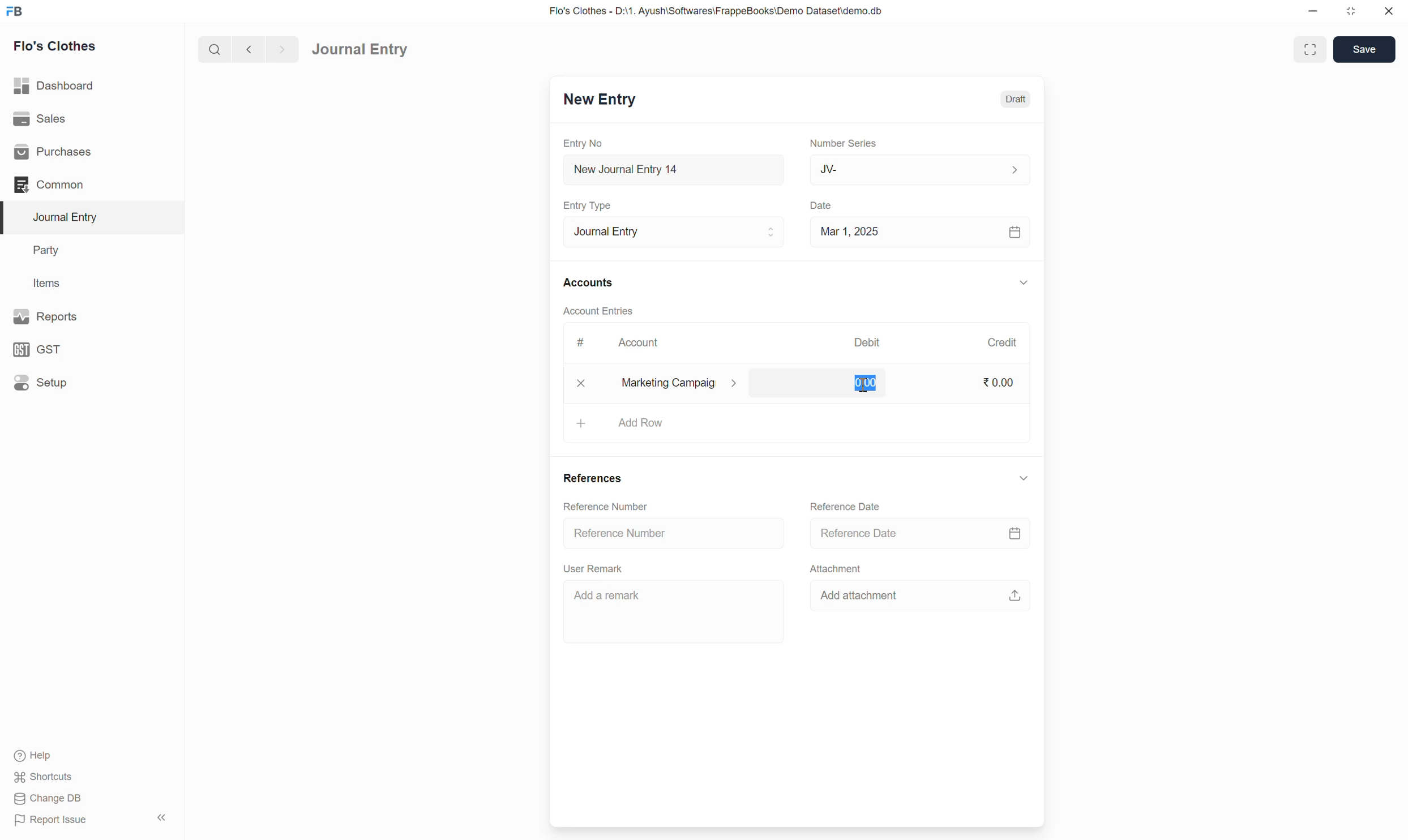 The height and width of the screenshot is (840, 1408). What do you see at coordinates (865, 386) in the screenshot?
I see `cursor` at bounding box center [865, 386].